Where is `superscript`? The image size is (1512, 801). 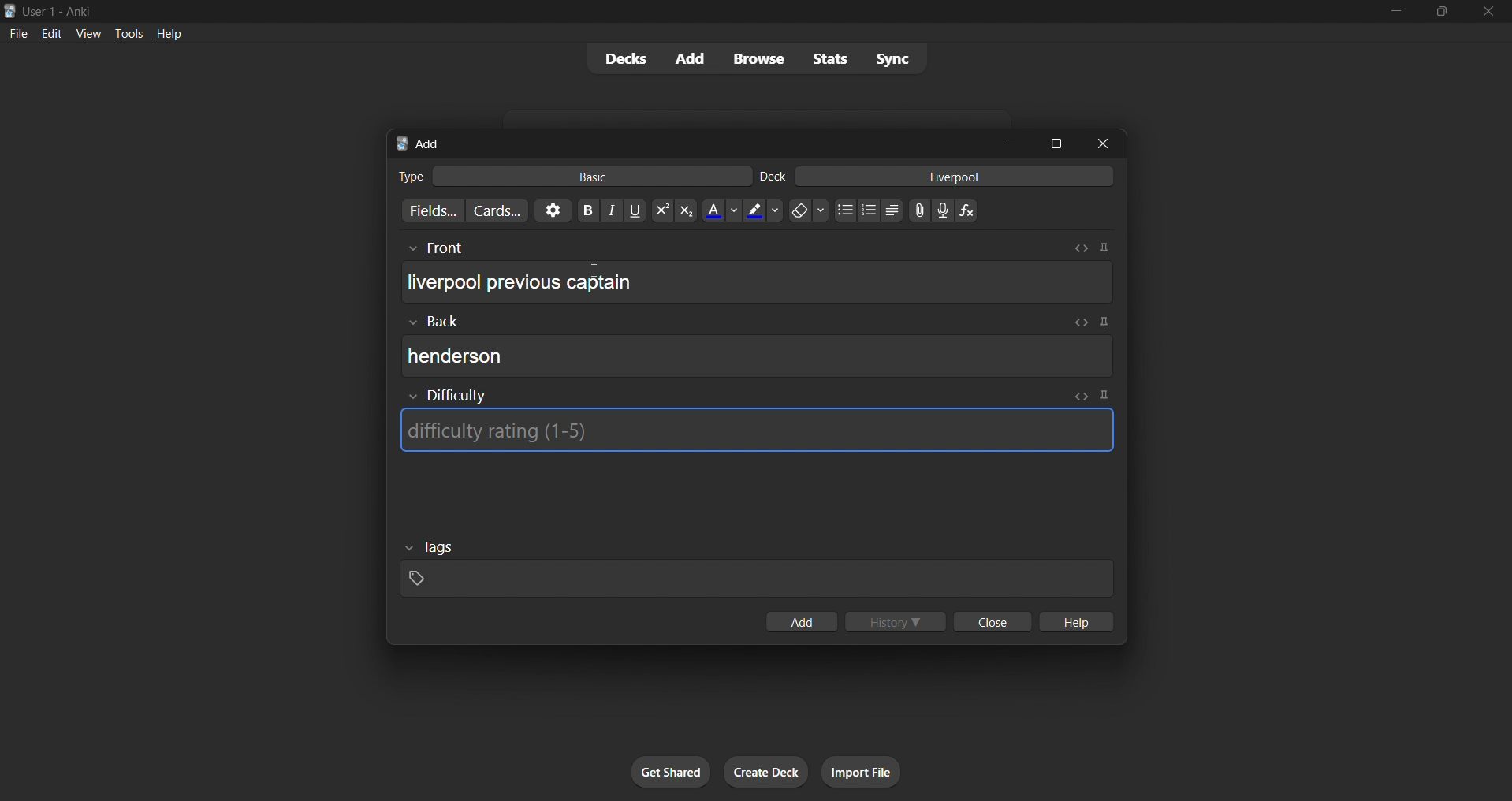 superscript is located at coordinates (661, 211).